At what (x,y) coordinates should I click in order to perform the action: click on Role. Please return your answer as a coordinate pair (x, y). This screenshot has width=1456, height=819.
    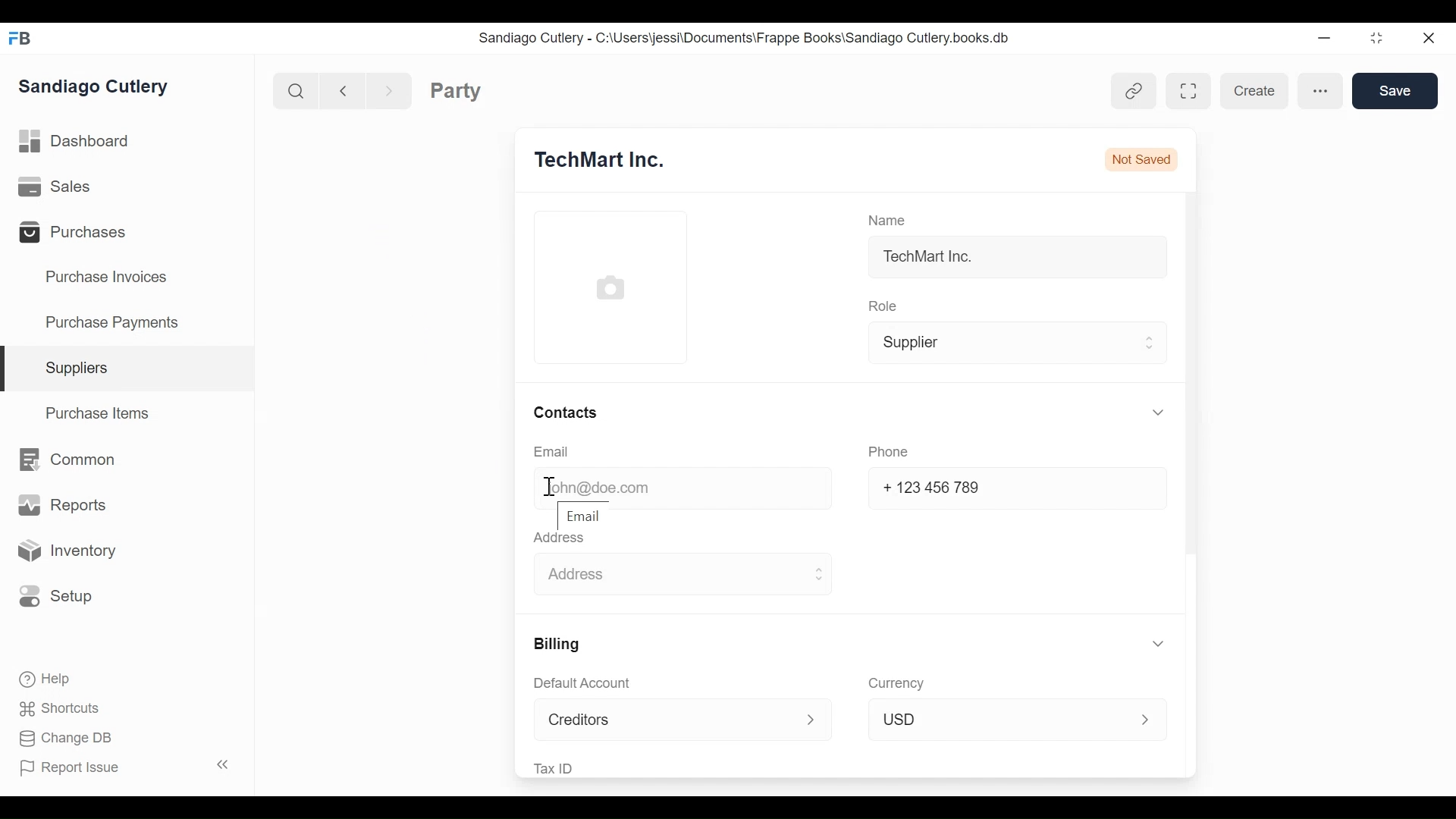
    Looking at the image, I should click on (882, 306).